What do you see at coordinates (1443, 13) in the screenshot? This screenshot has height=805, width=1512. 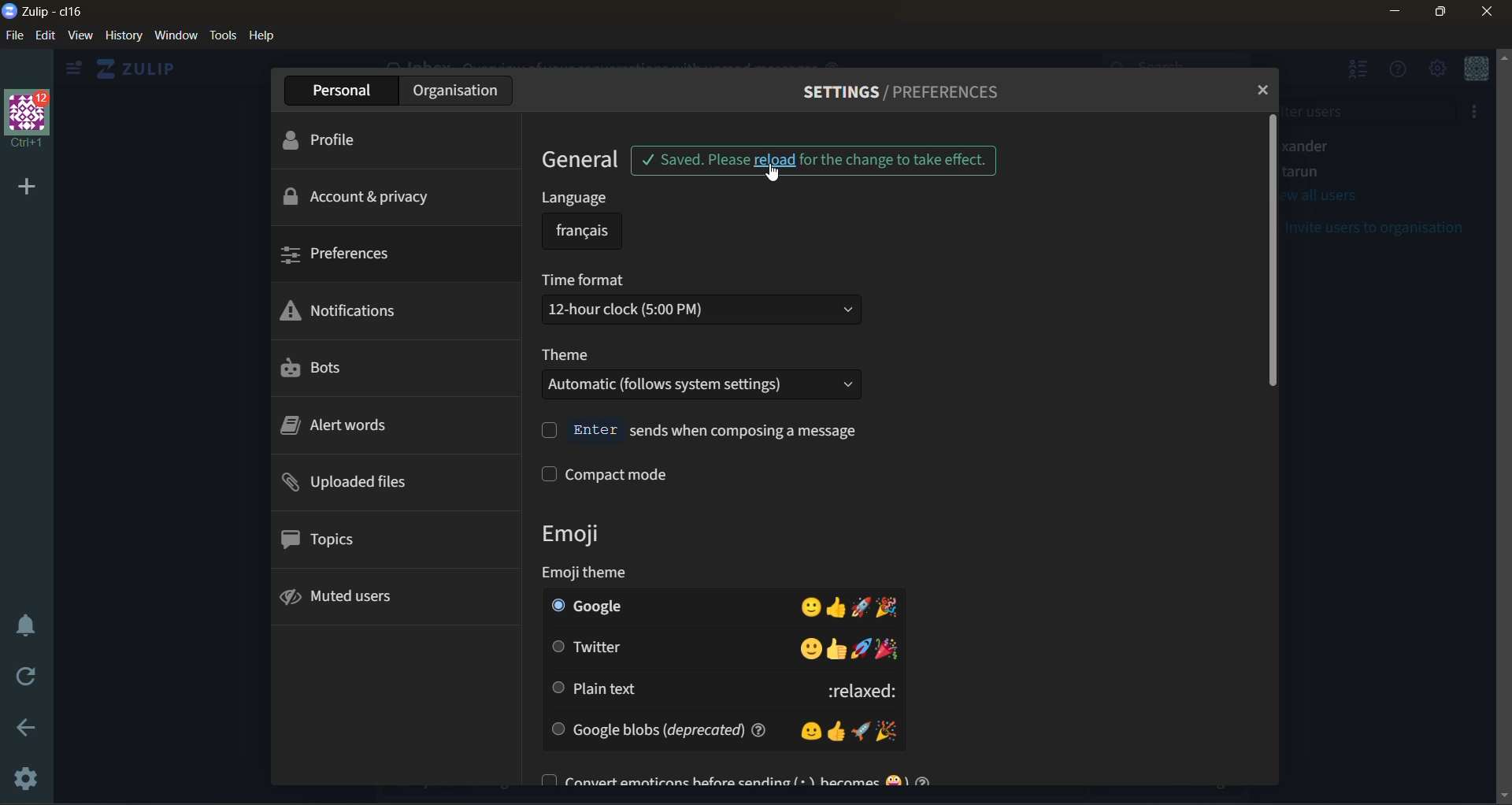 I see `maximize` at bounding box center [1443, 13].